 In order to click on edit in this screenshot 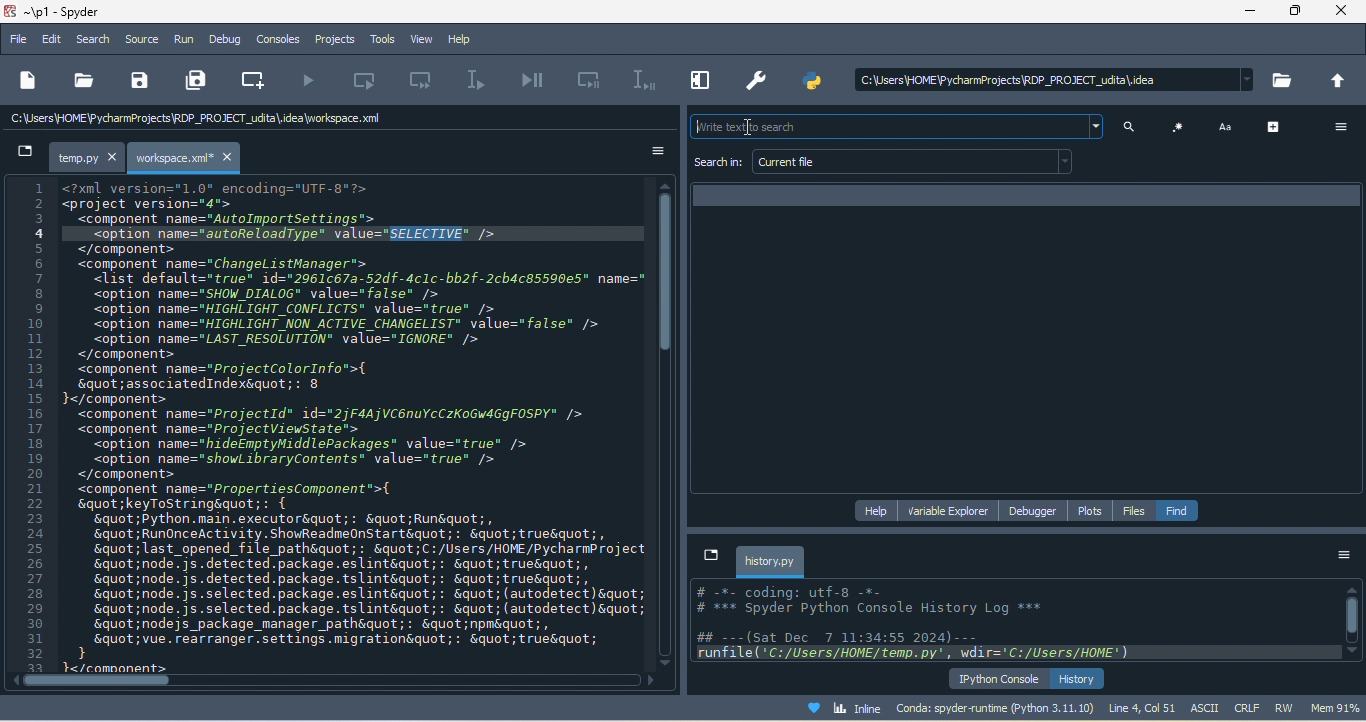, I will do `click(53, 39)`.